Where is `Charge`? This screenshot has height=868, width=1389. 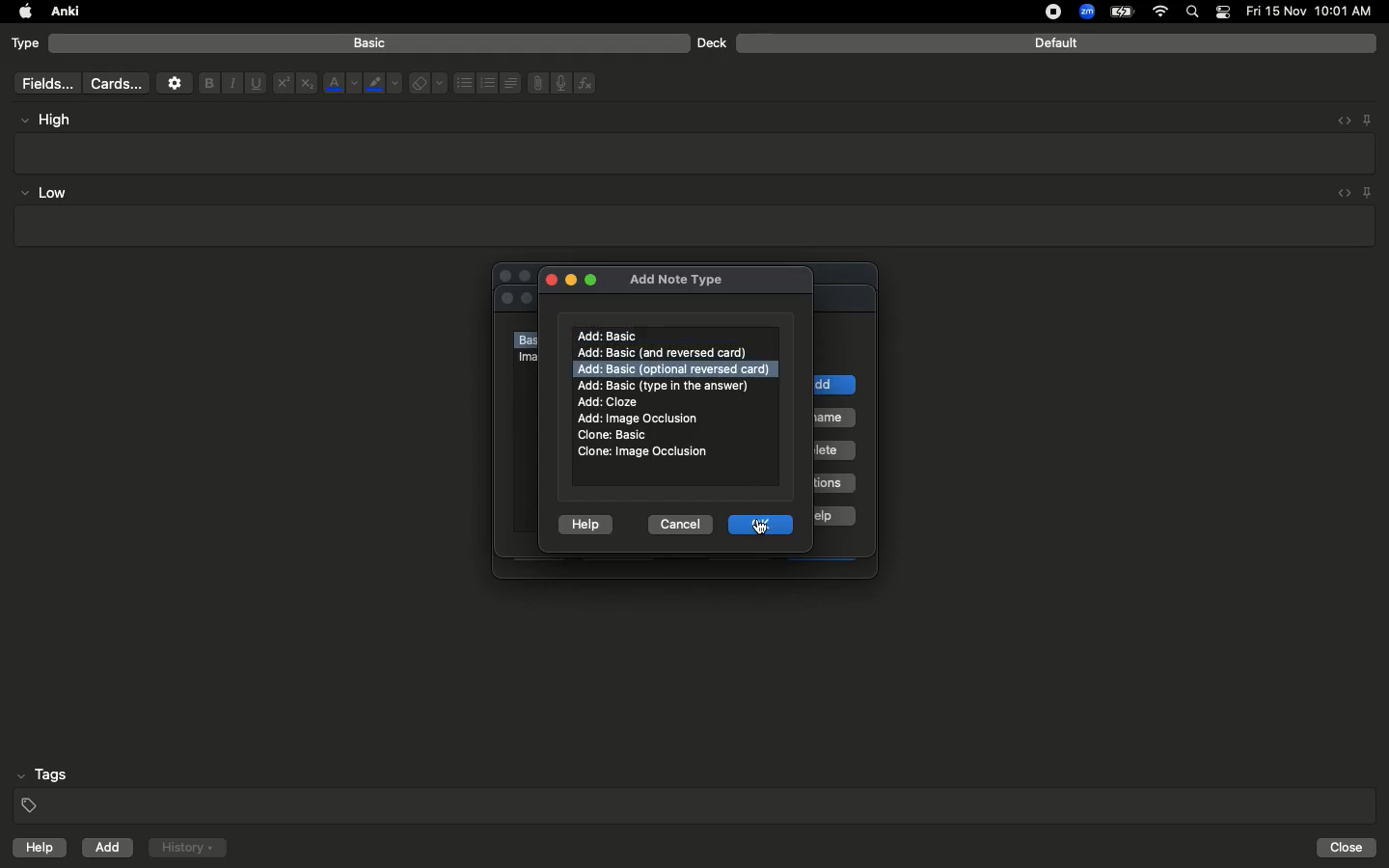
Charge is located at coordinates (1121, 12).